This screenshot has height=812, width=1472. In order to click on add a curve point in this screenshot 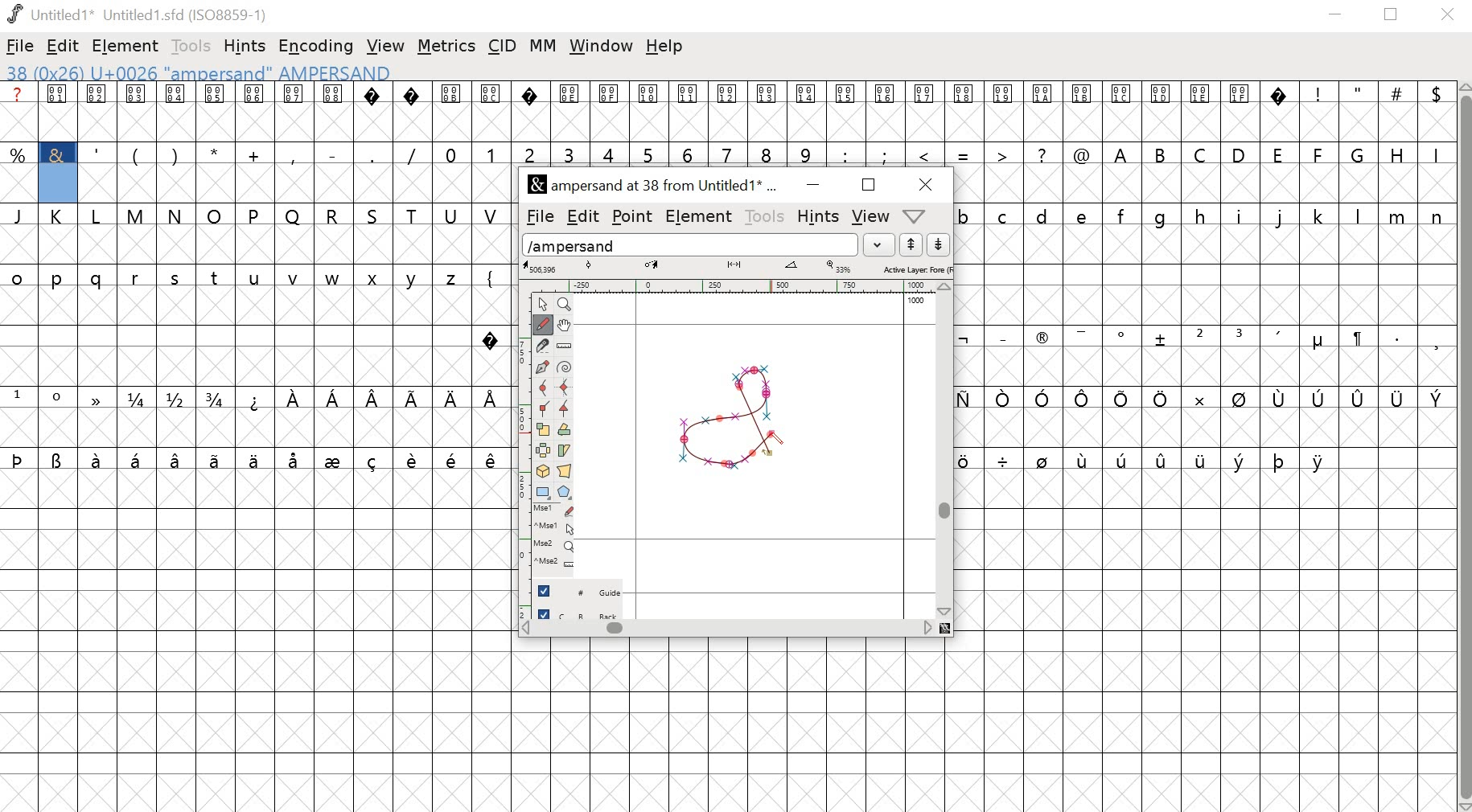, I will do `click(543, 389)`.